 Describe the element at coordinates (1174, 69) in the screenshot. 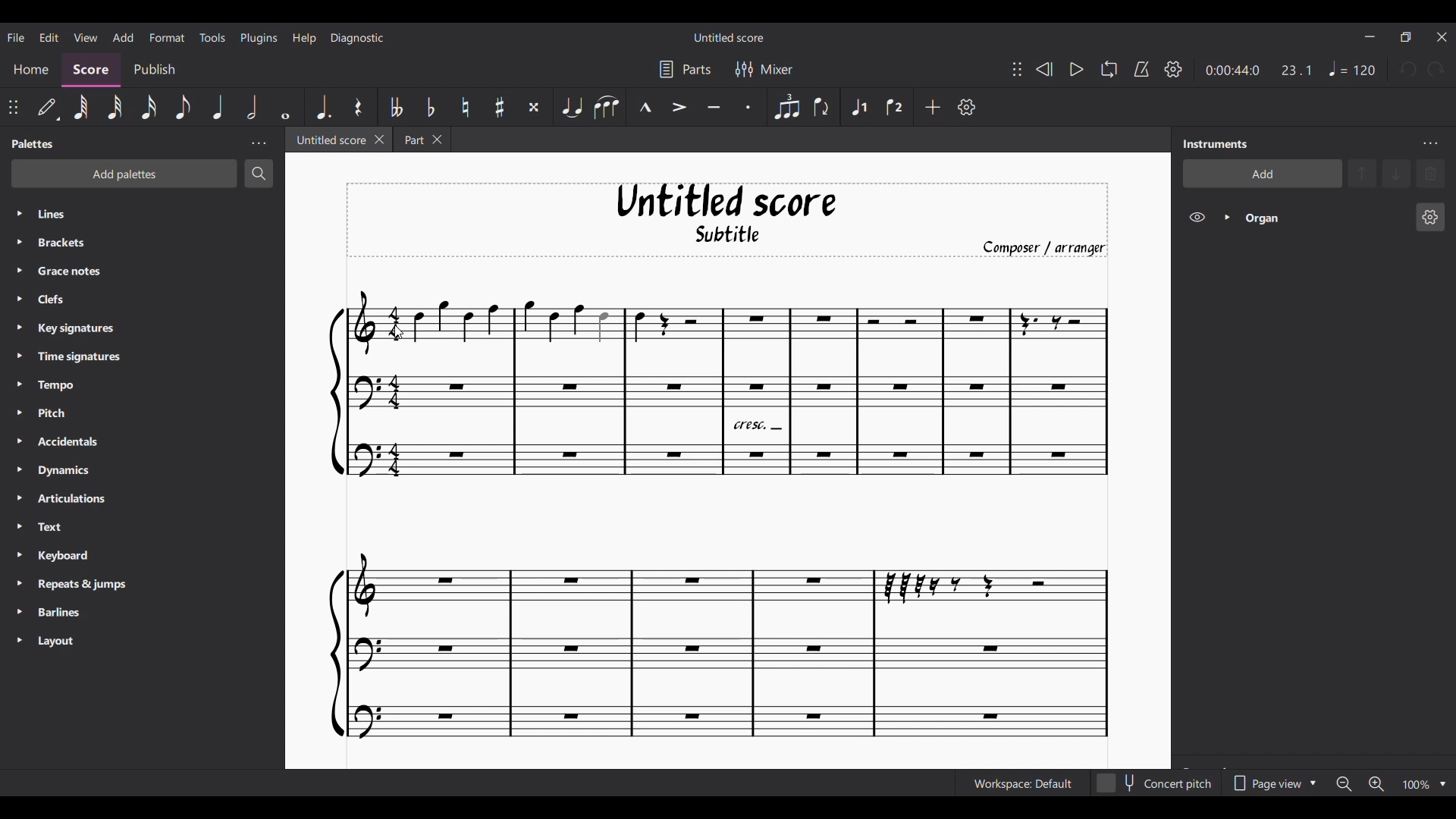

I see `Playback settings` at that location.